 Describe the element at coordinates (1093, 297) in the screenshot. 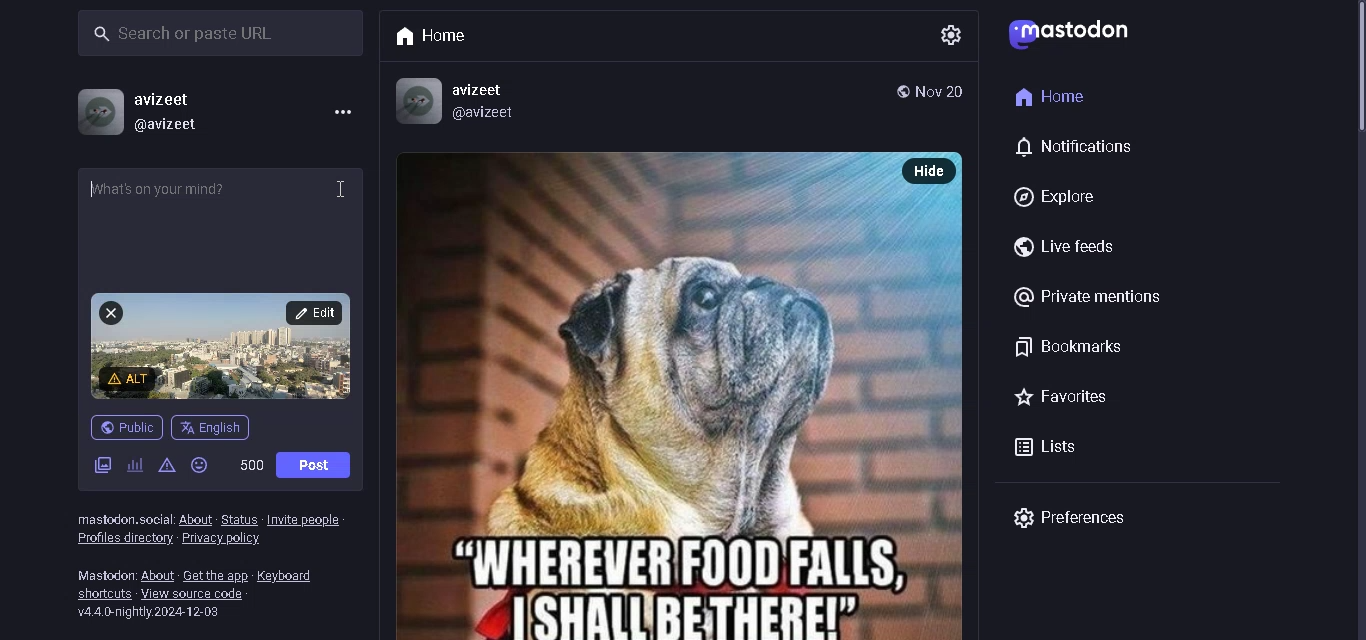

I see `@Private mentions` at that location.